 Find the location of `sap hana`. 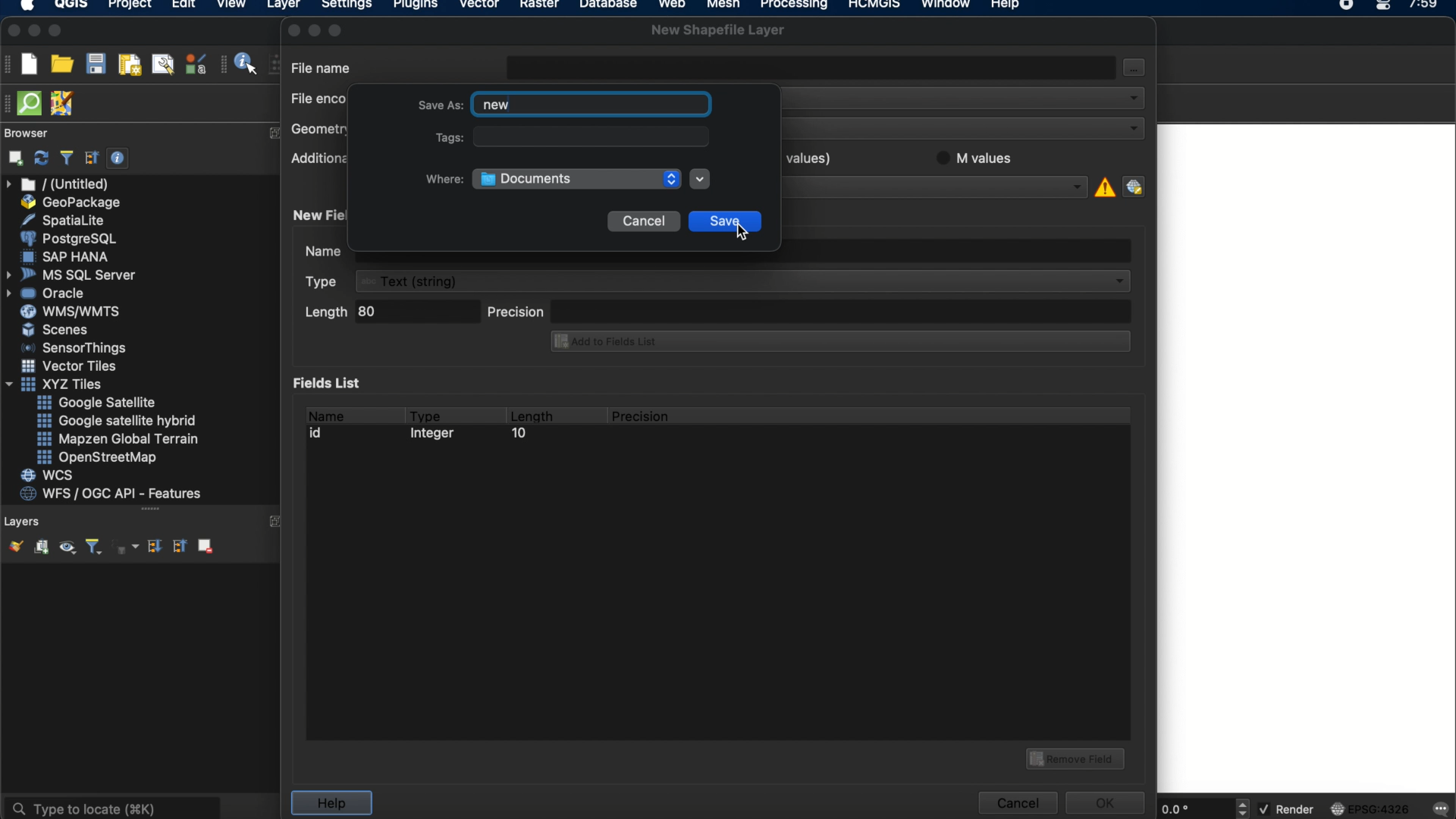

sap hana is located at coordinates (67, 256).